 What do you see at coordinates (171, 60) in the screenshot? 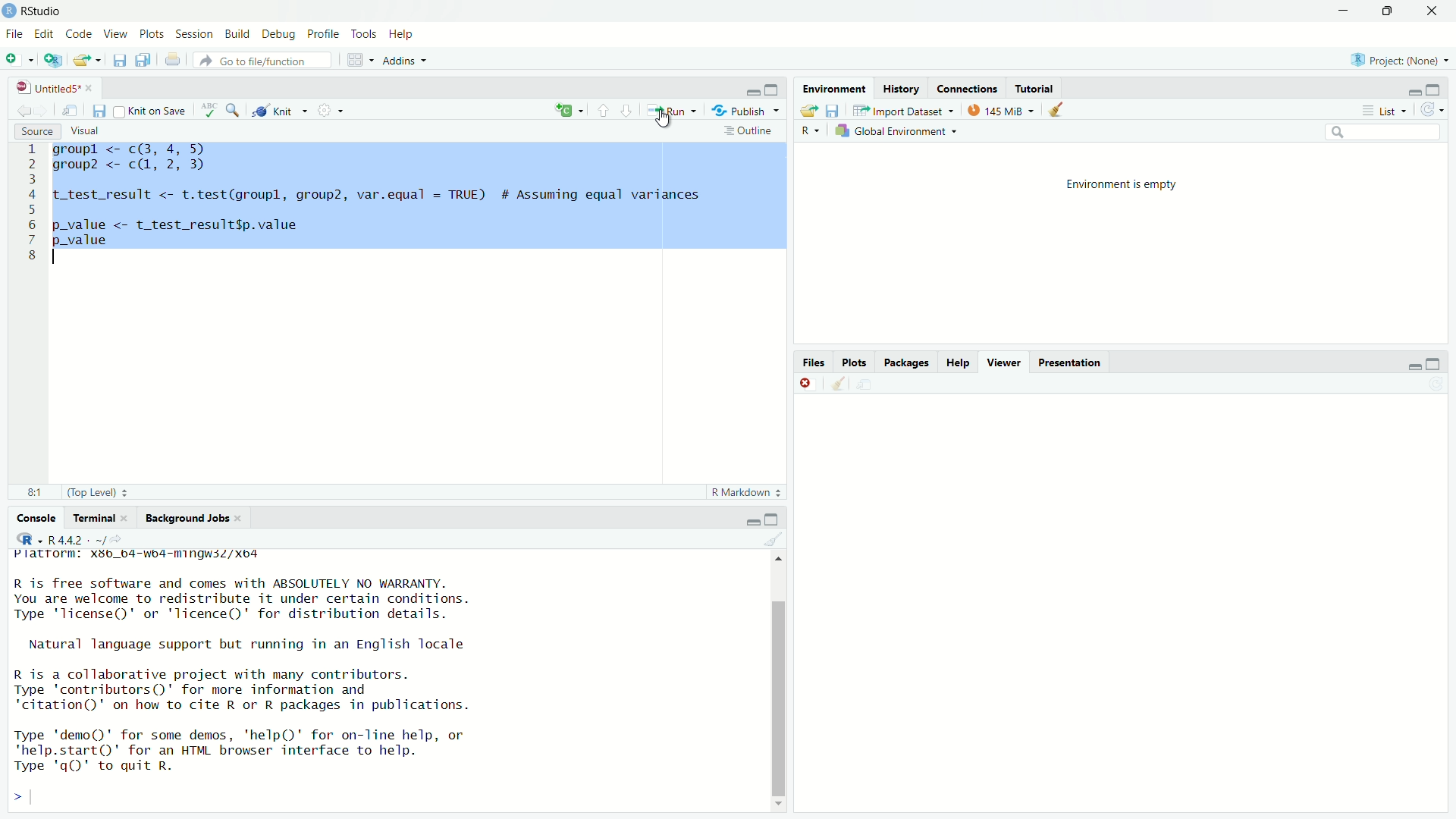
I see `print current file` at bounding box center [171, 60].